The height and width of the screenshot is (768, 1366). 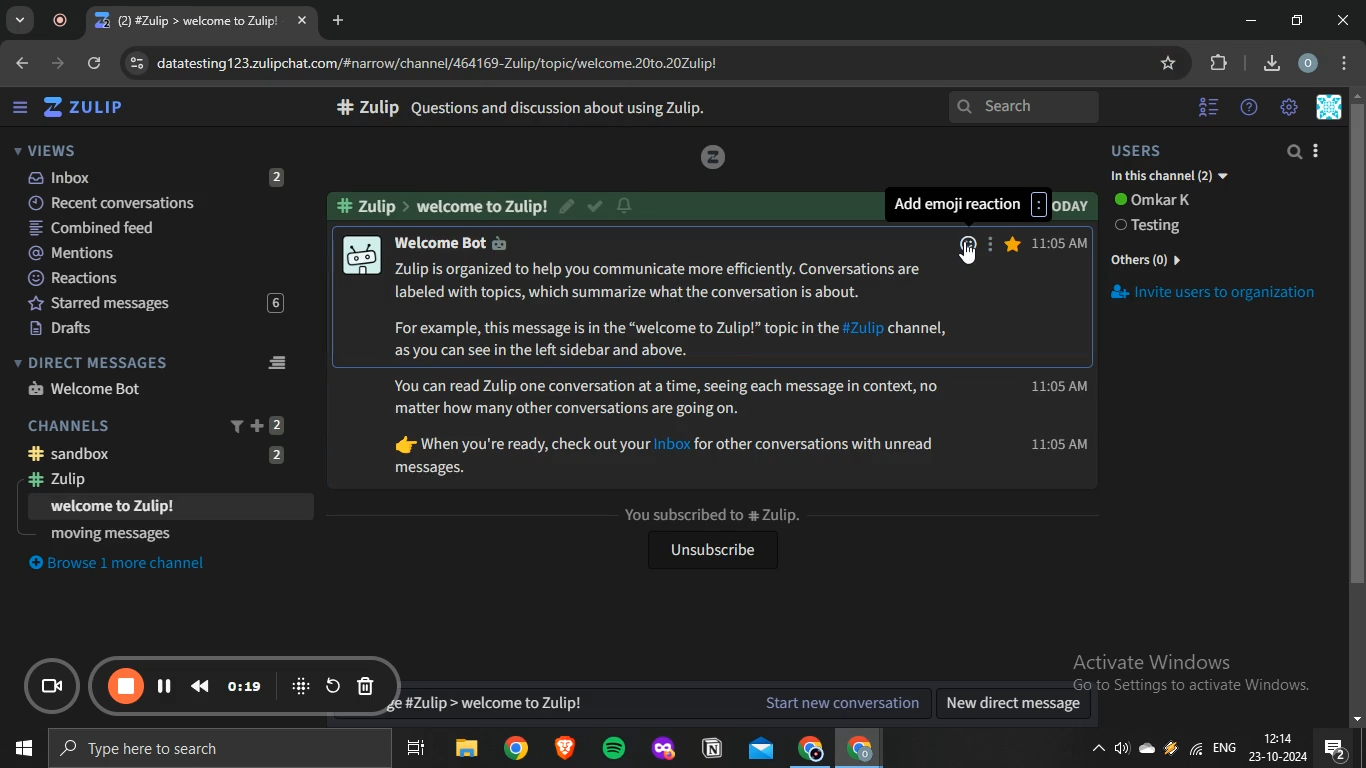 I want to click on , so click(x=1316, y=152).